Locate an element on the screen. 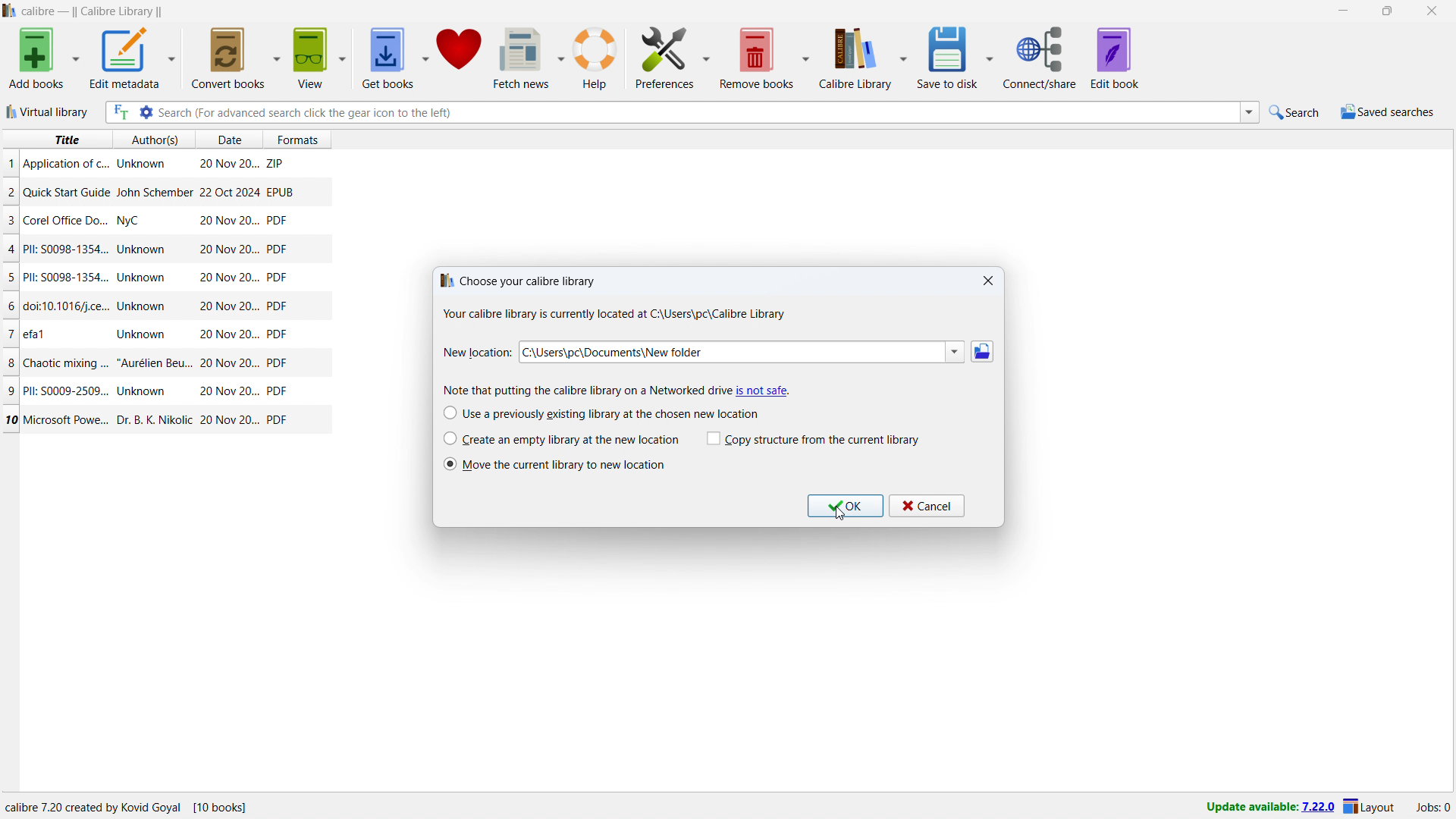 The image size is (1456, 819). cursor is located at coordinates (840, 514).